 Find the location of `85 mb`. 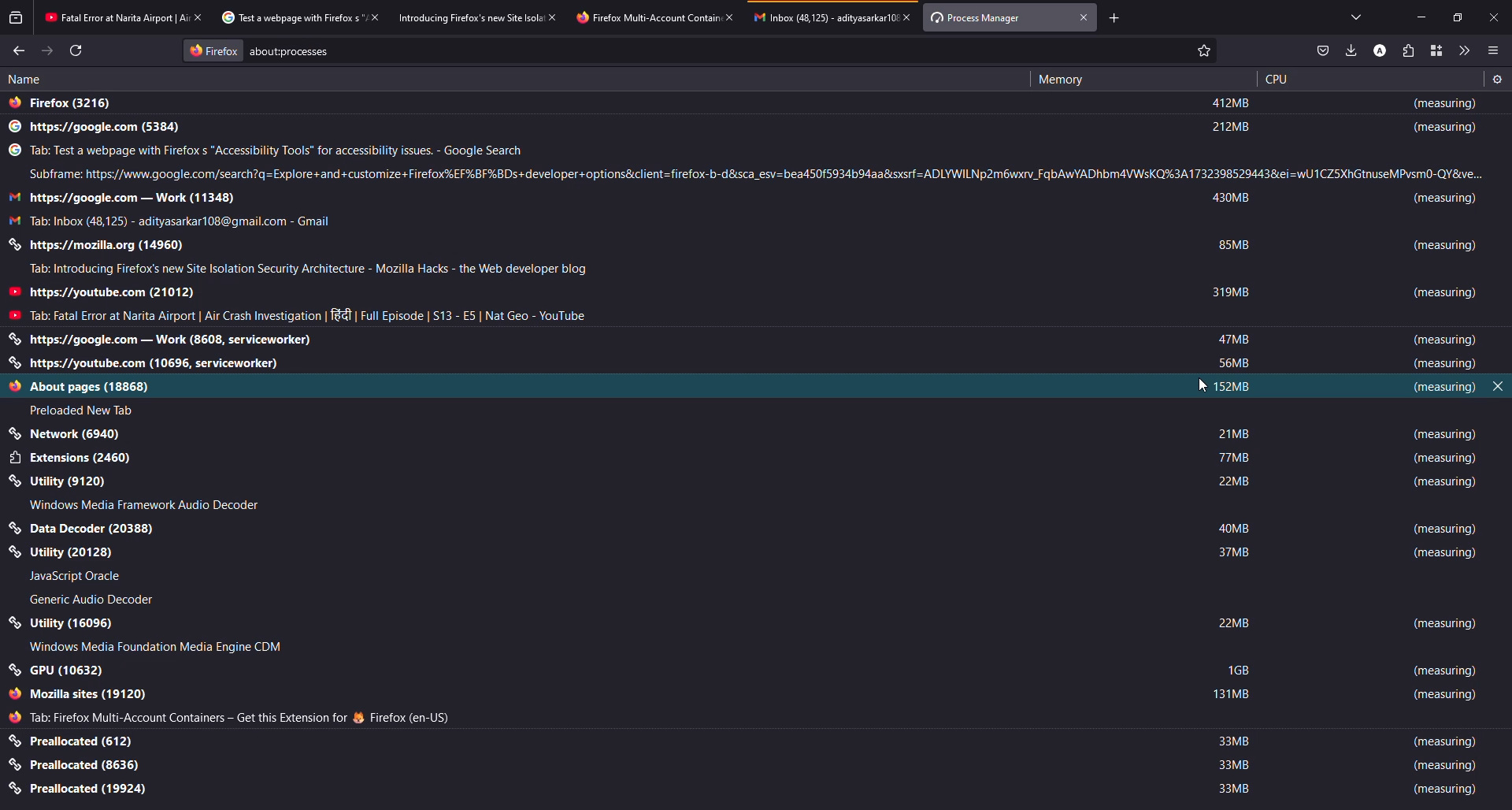

85 mb is located at coordinates (1235, 245).